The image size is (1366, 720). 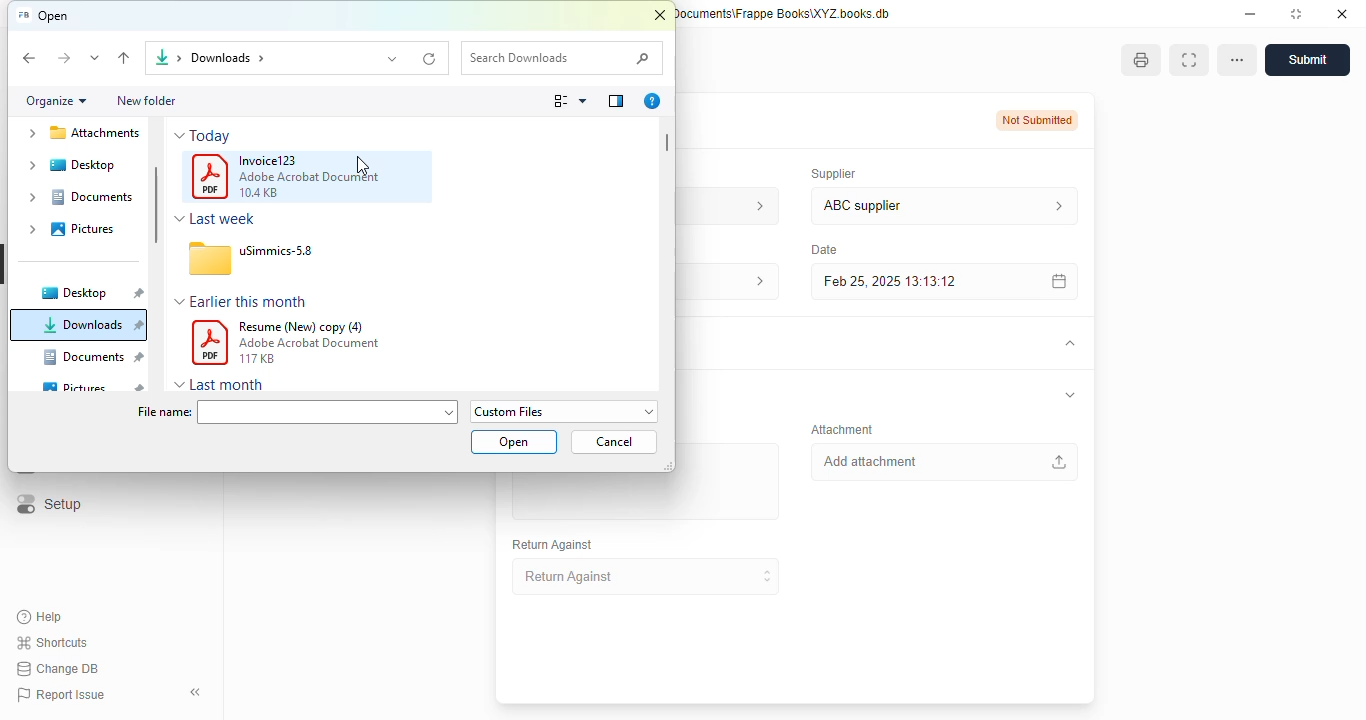 I want to click on toggle expand/collapse, so click(x=1070, y=395).